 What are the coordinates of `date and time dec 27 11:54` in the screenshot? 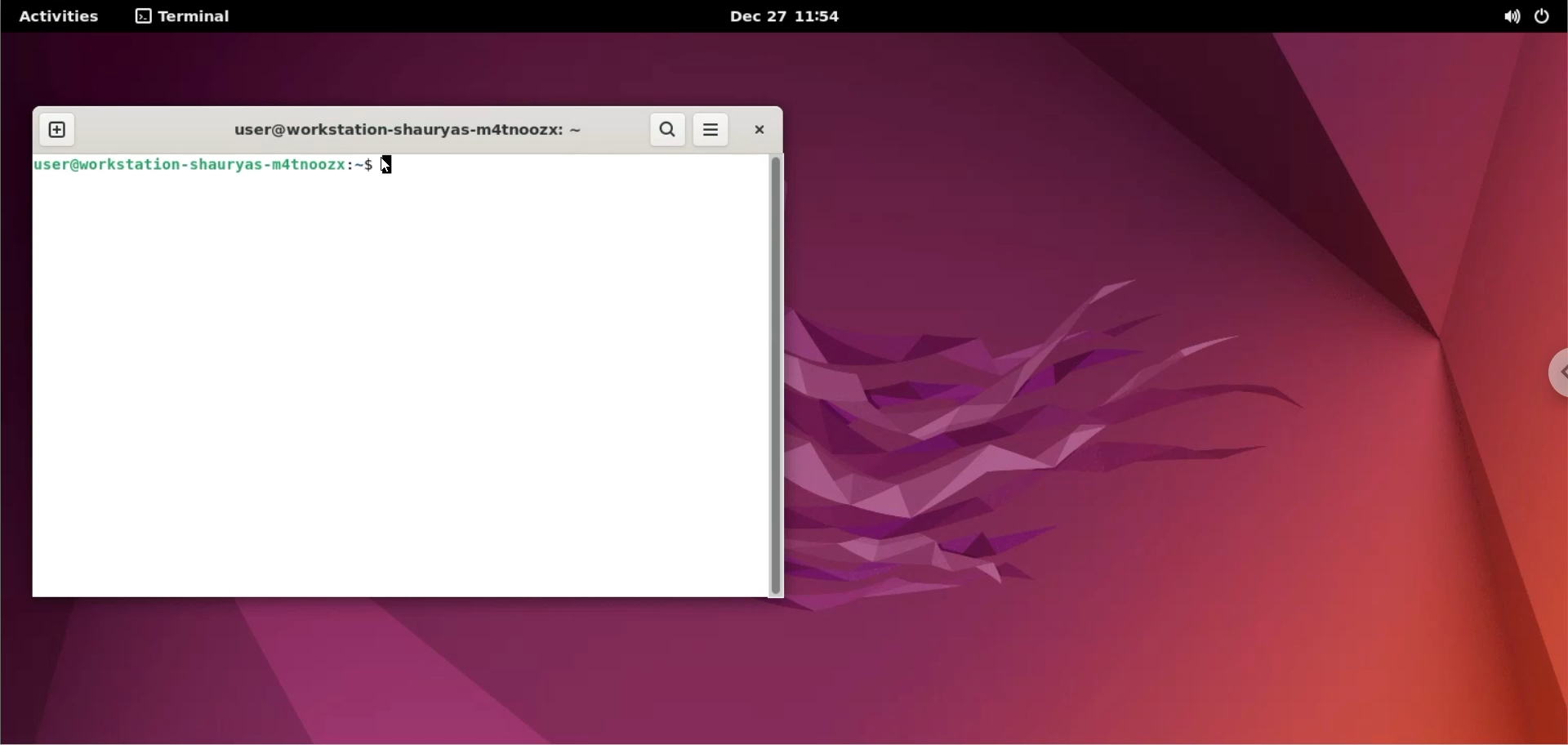 It's located at (792, 18).